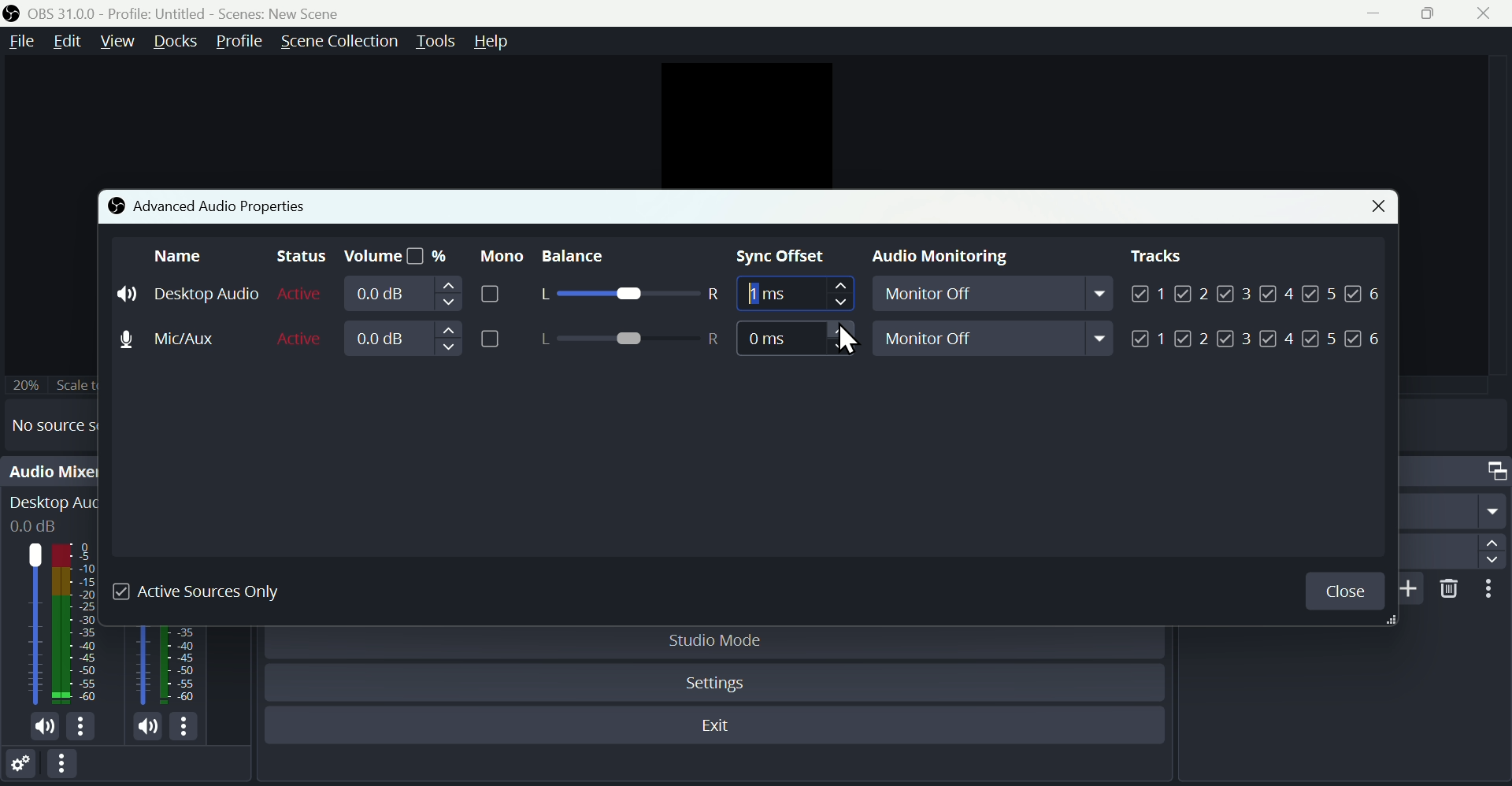 This screenshot has width=1512, height=786. Describe the element at coordinates (187, 729) in the screenshot. I see `More options` at that location.